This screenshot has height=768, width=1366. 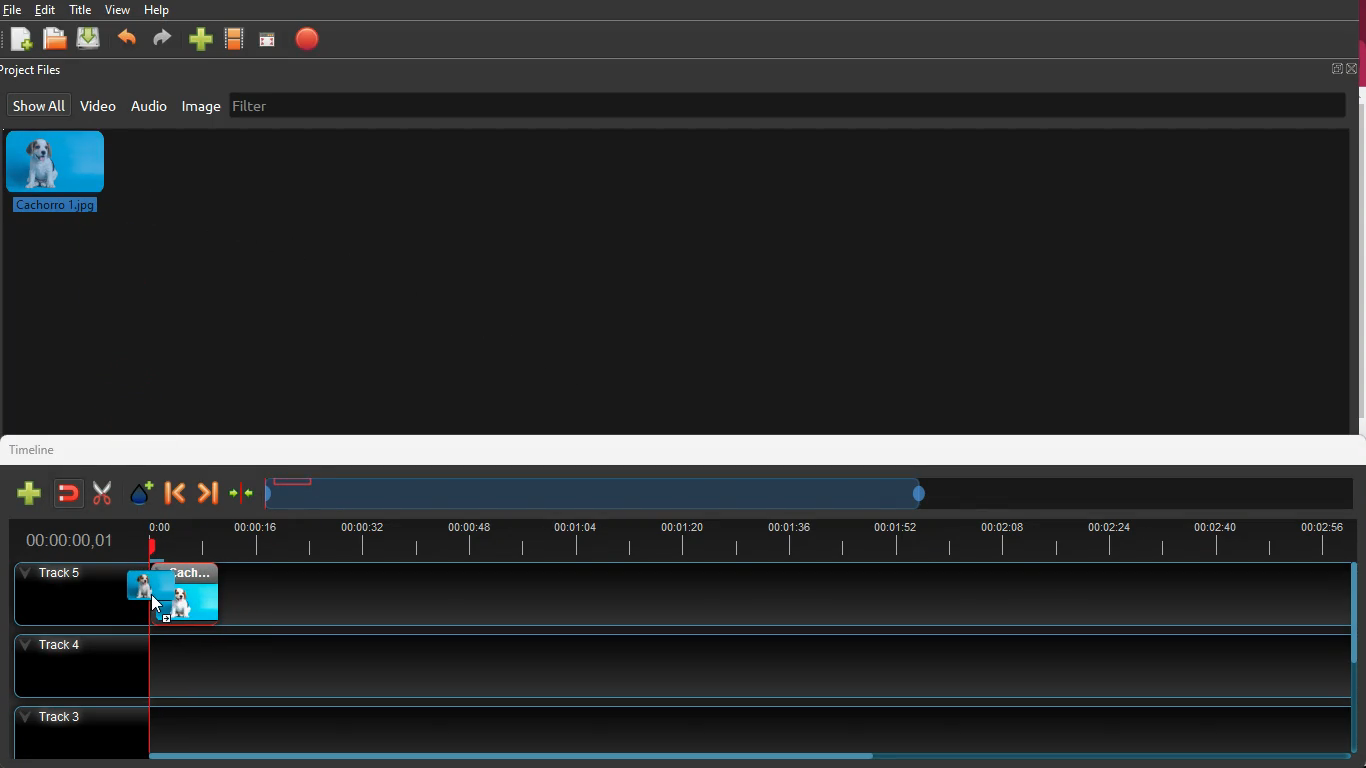 What do you see at coordinates (200, 41) in the screenshot?
I see `add` at bounding box center [200, 41].